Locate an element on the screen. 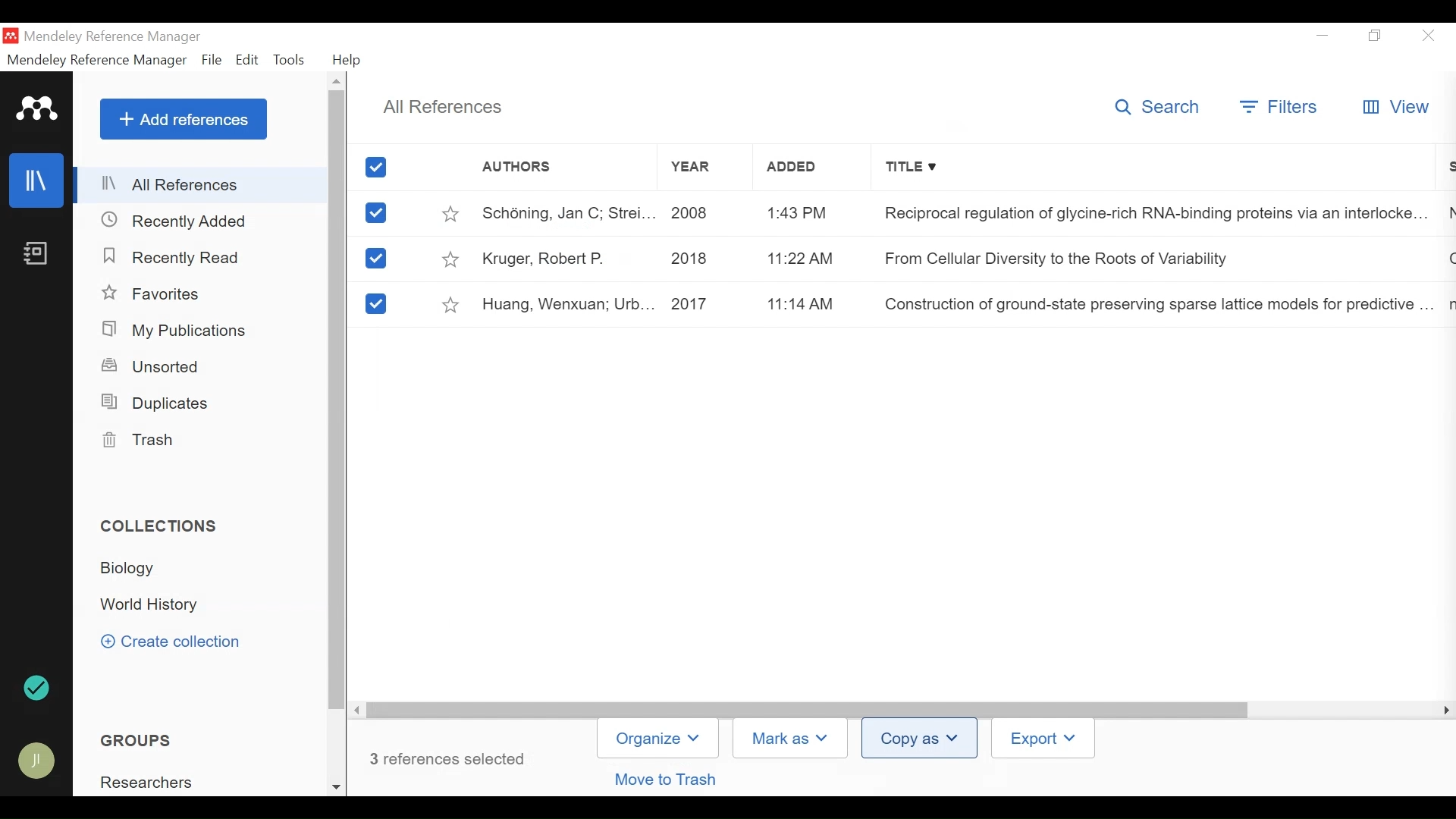 The image size is (1456, 819). Scroll Right is located at coordinates (1443, 711).